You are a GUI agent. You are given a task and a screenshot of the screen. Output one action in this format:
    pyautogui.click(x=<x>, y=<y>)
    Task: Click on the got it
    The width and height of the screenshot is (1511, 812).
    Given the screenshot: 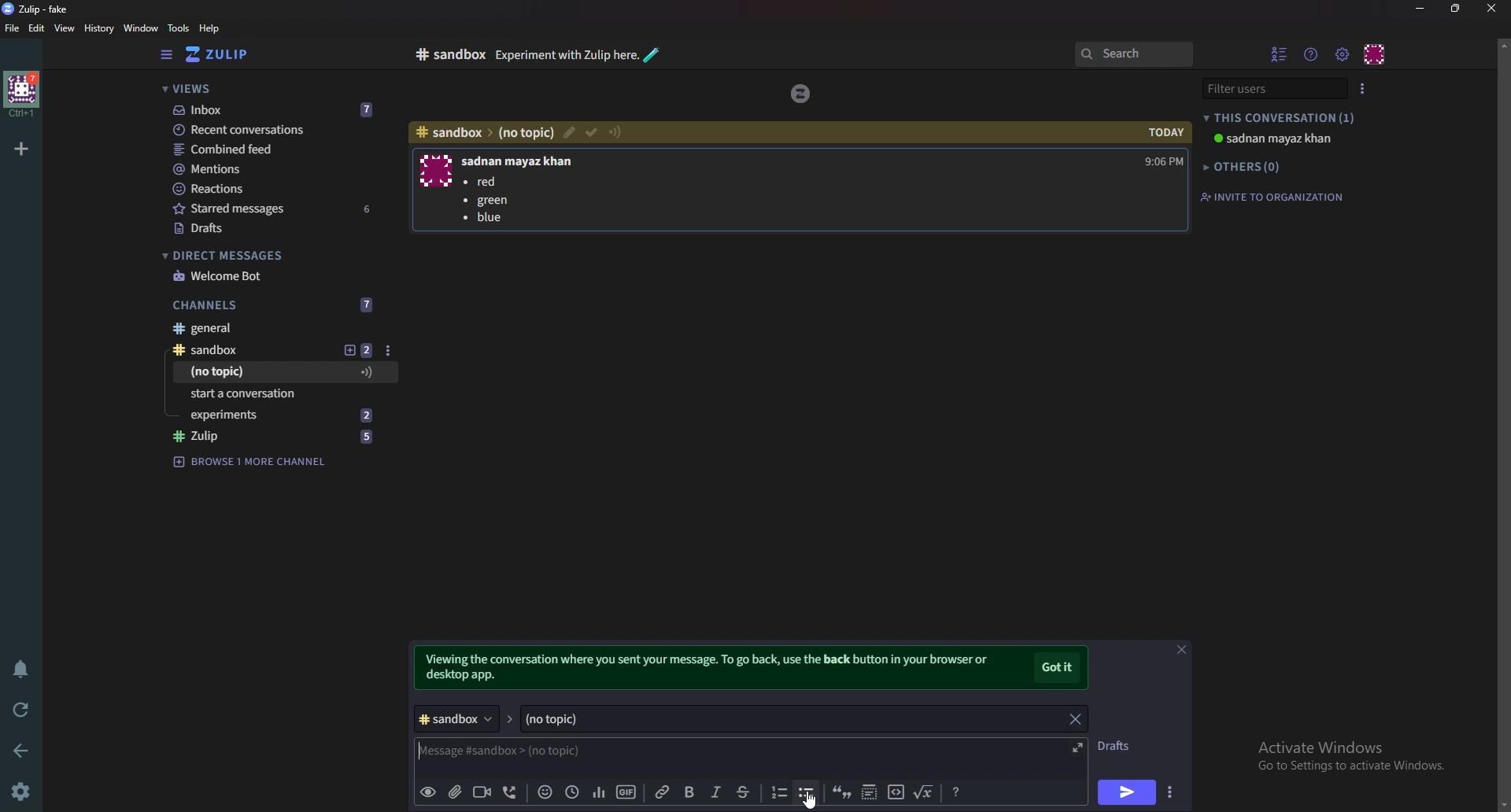 What is the action you would take?
    pyautogui.click(x=1058, y=669)
    